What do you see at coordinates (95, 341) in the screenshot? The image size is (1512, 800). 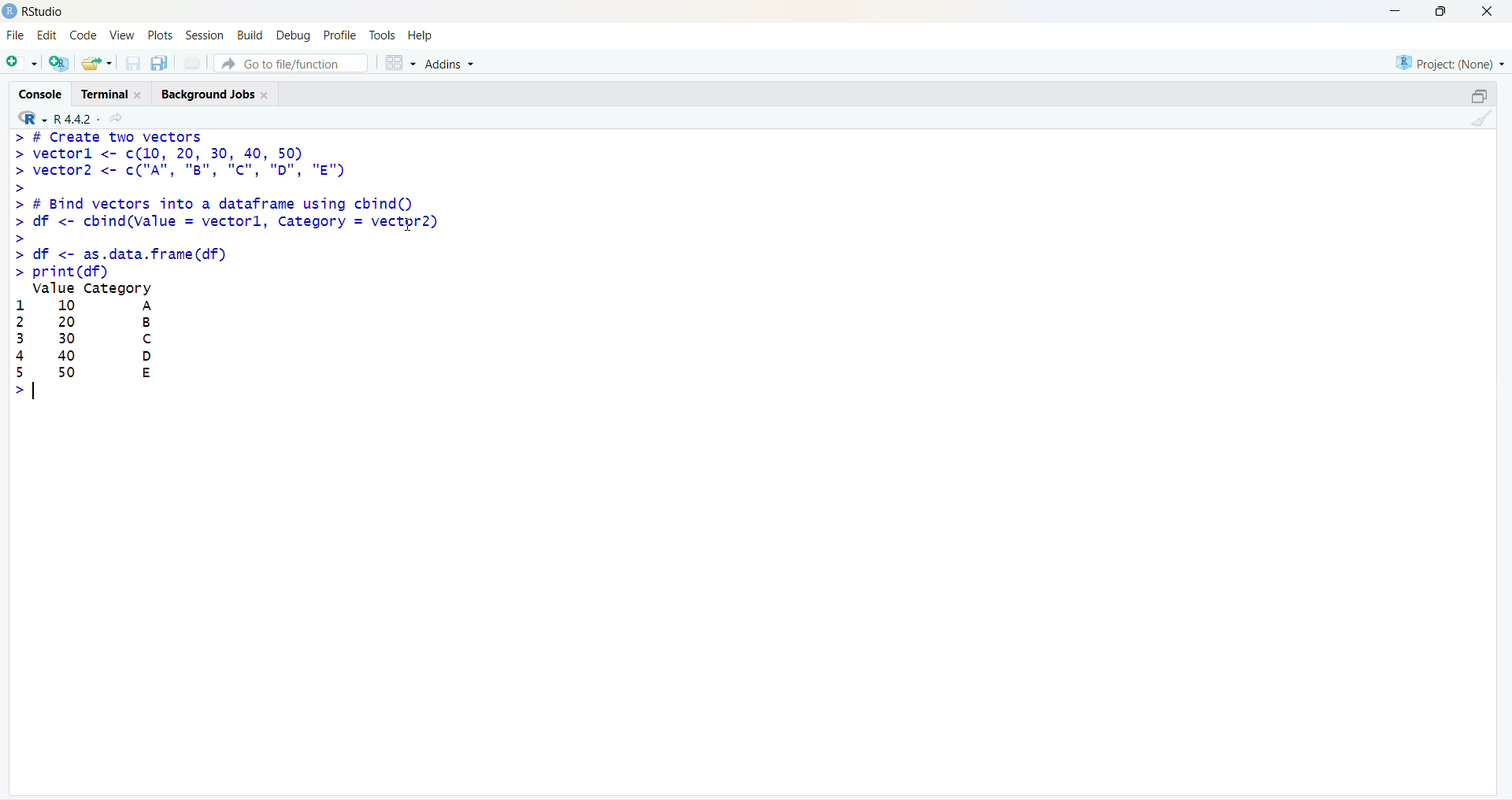 I see `Value Category 1 10 A 2 20 B 3 30 C 4 40 D 5 50 E` at bounding box center [95, 341].